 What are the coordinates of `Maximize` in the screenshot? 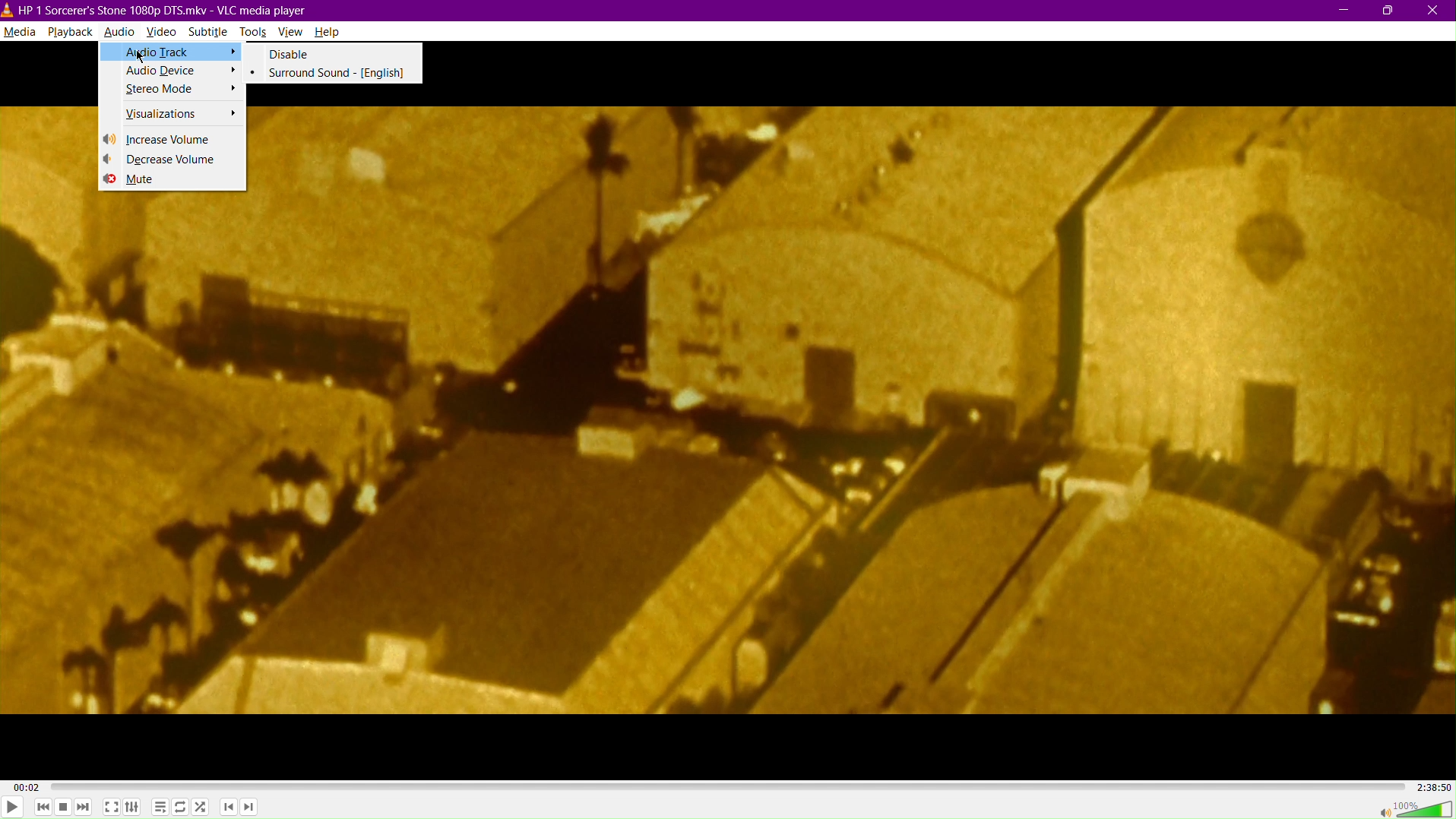 It's located at (1389, 10).